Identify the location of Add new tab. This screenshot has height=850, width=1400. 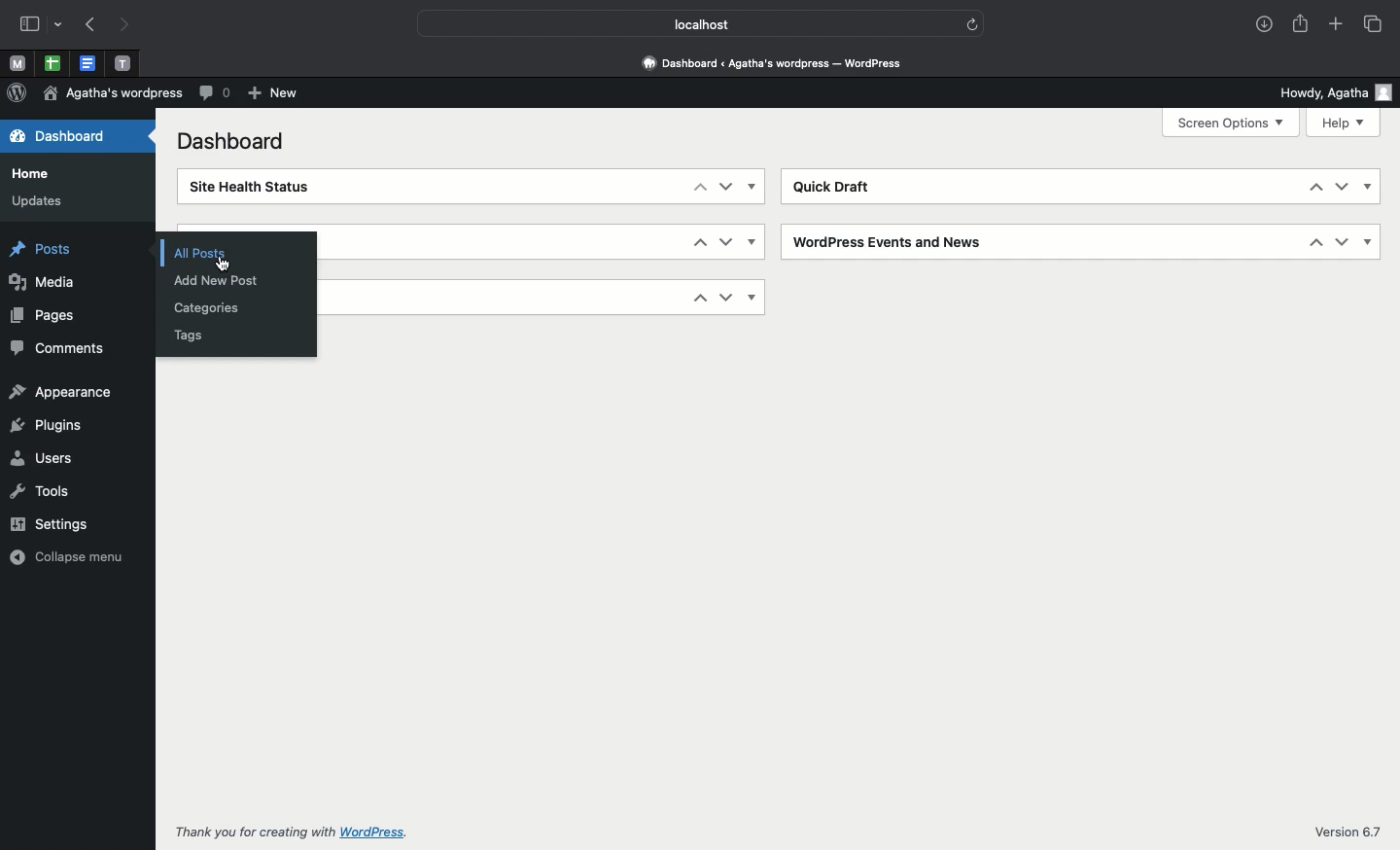
(1338, 27).